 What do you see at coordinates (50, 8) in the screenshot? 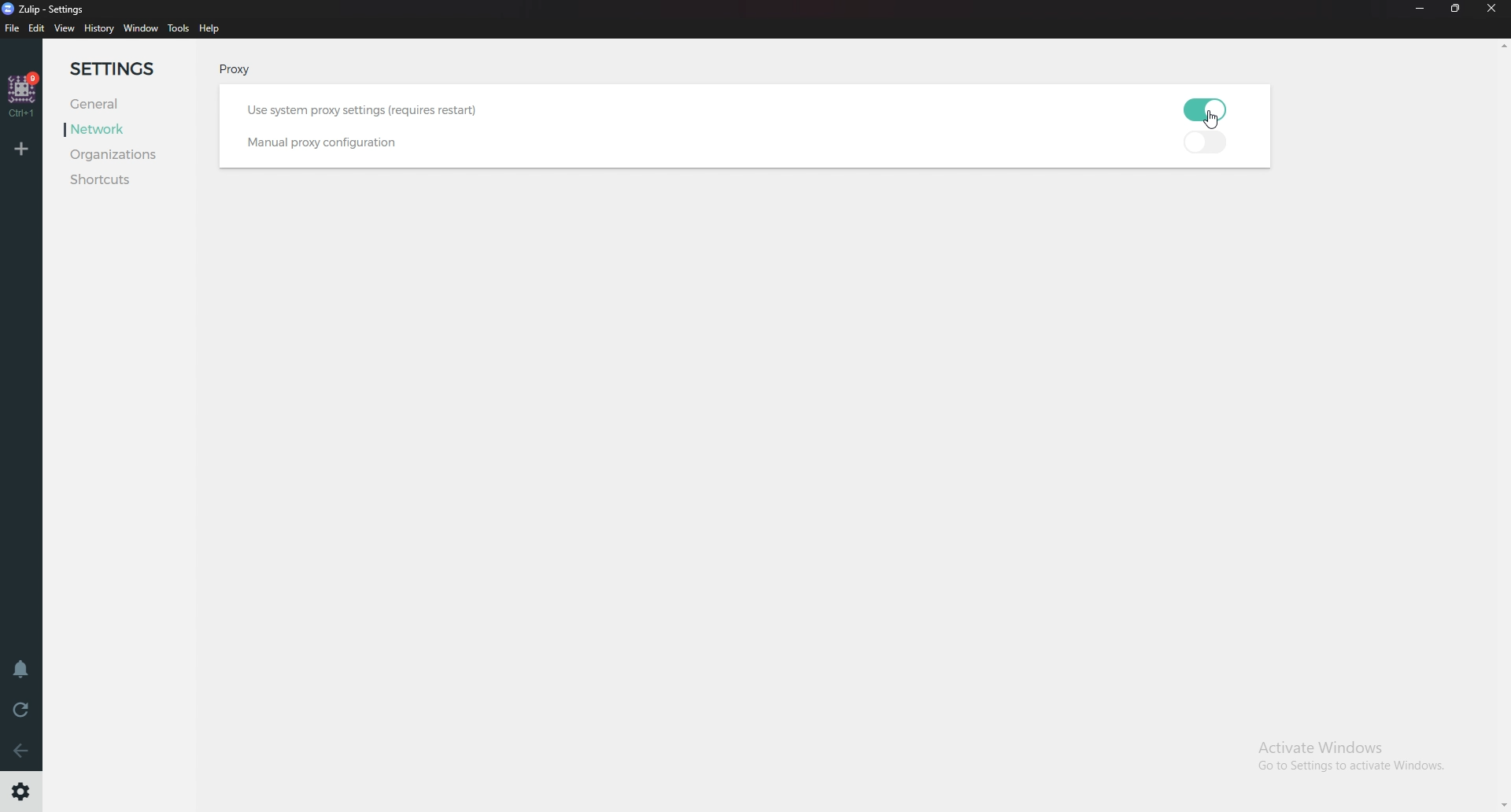
I see `zulip` at bounding box center [50, 8].